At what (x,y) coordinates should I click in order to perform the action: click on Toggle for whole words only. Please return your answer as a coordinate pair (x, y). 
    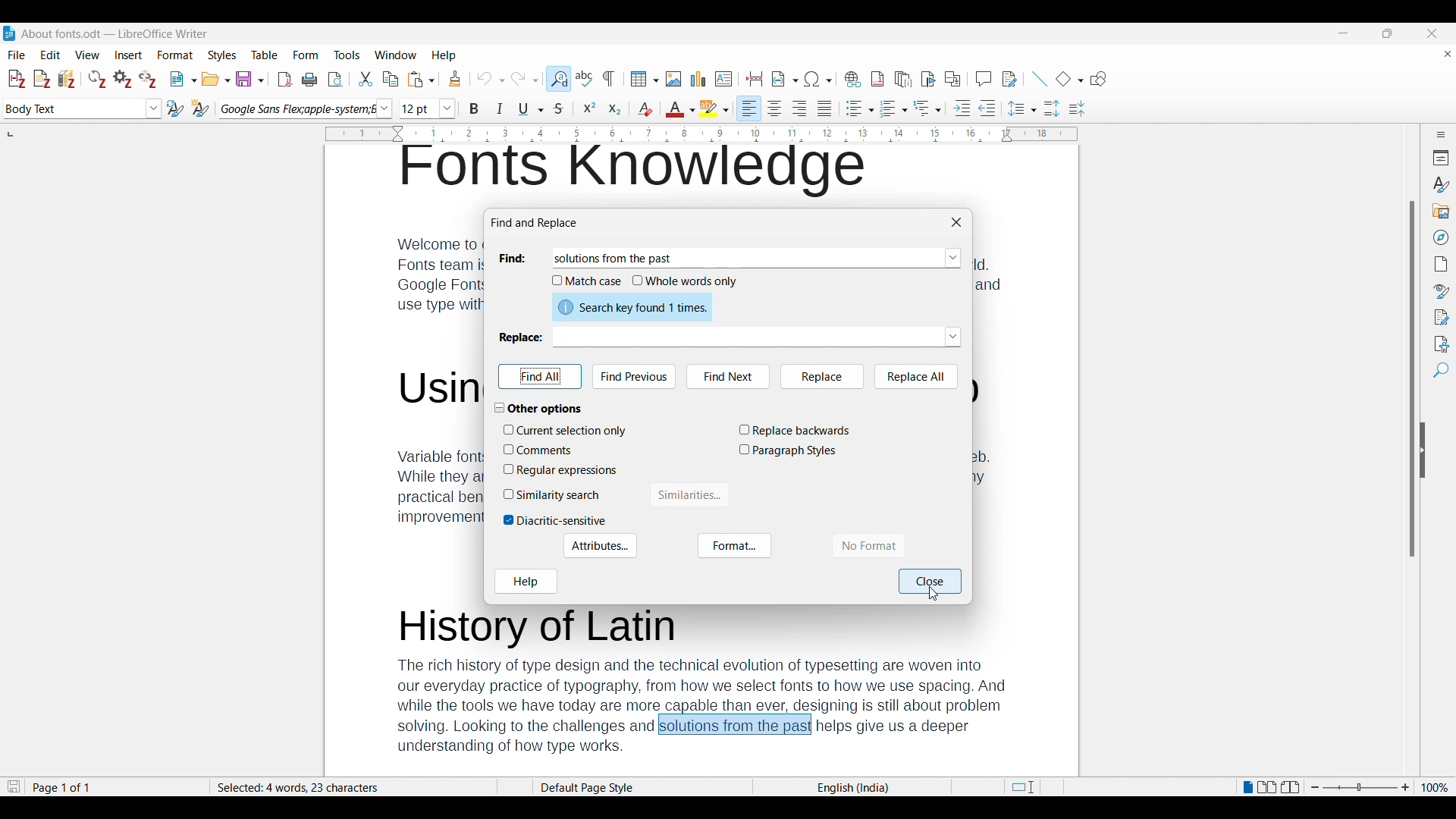
    Looking at the image, I should click on (686, 281).